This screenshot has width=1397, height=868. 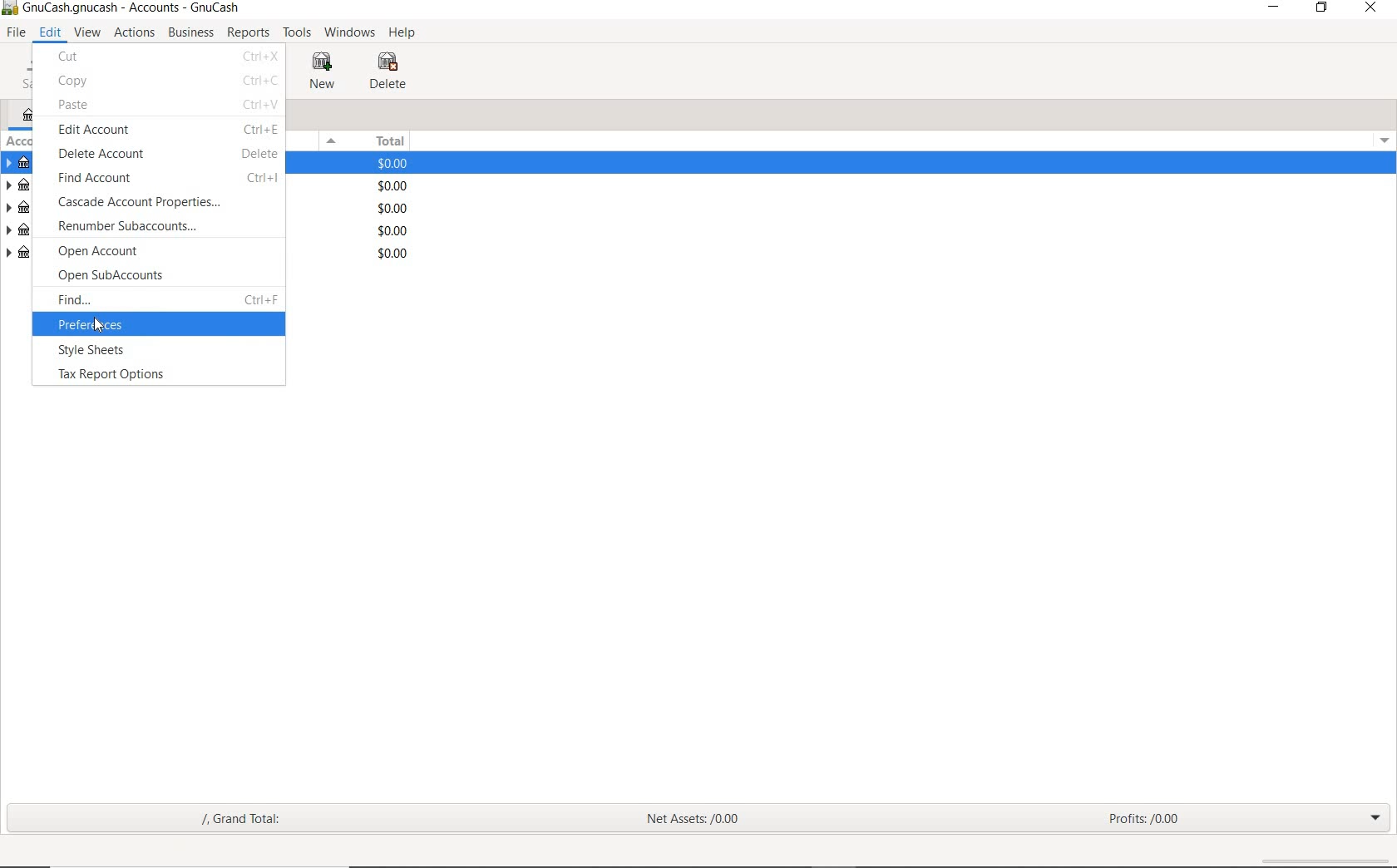 What do you see at coordinates (396, 231) in the screenshot?
I see `` at bounding box center [396, 231].